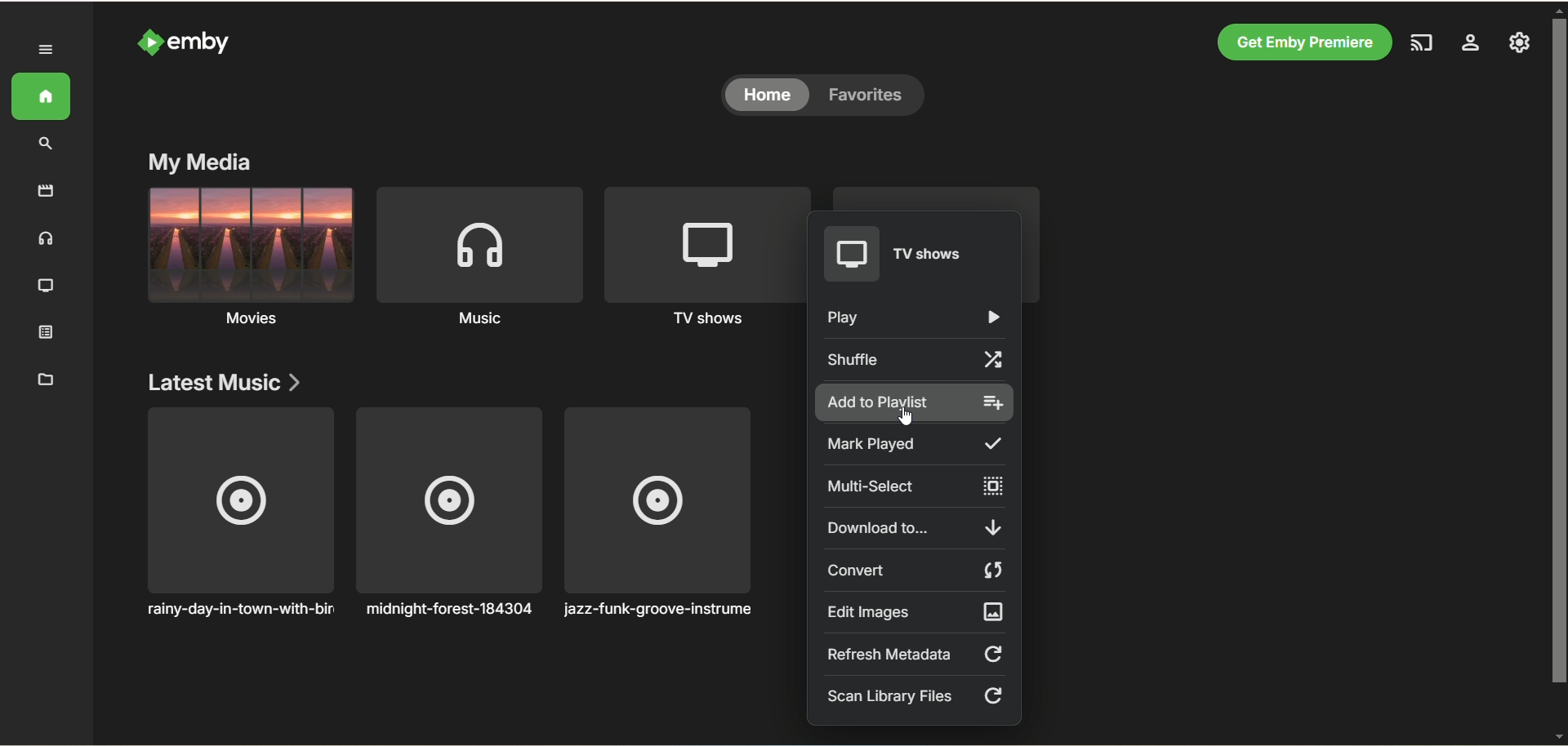  I want to click on latest music, so click(224, 384).